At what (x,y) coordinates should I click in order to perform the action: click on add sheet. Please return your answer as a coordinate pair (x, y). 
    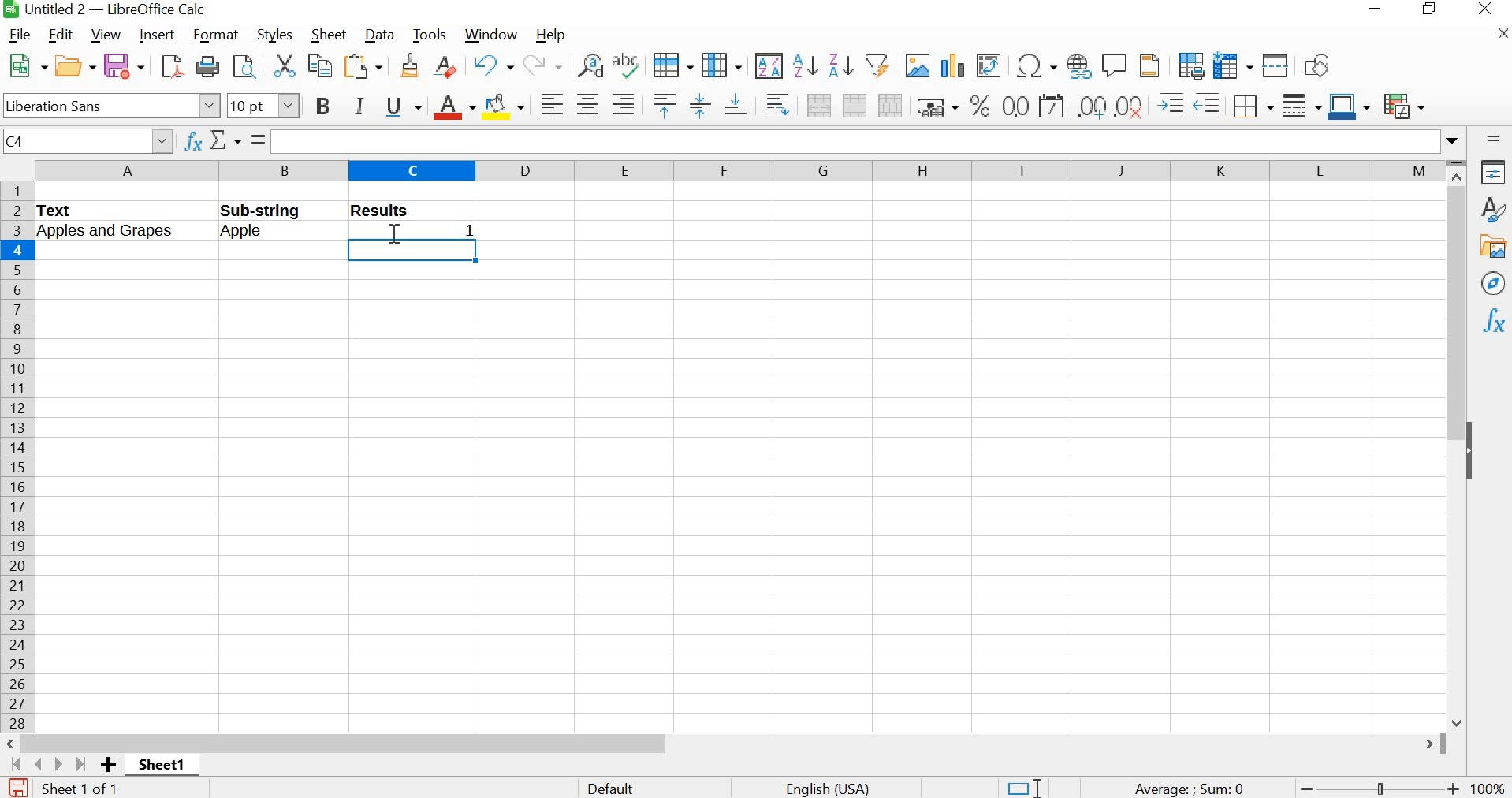
    Looking at the image, I should click on (111, 766).